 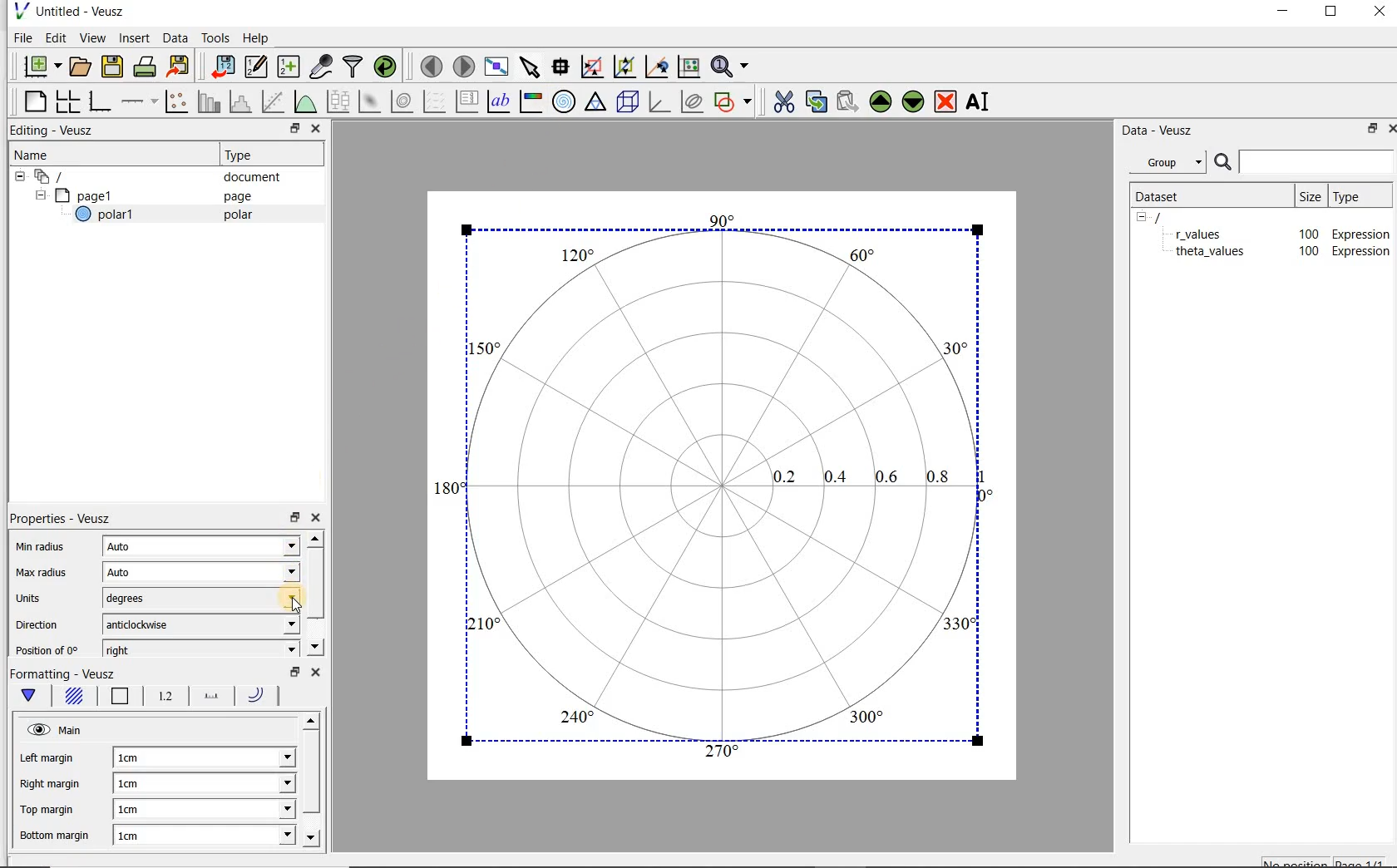 I want to click on Editing - Veusz, so click(x=56, y=131).